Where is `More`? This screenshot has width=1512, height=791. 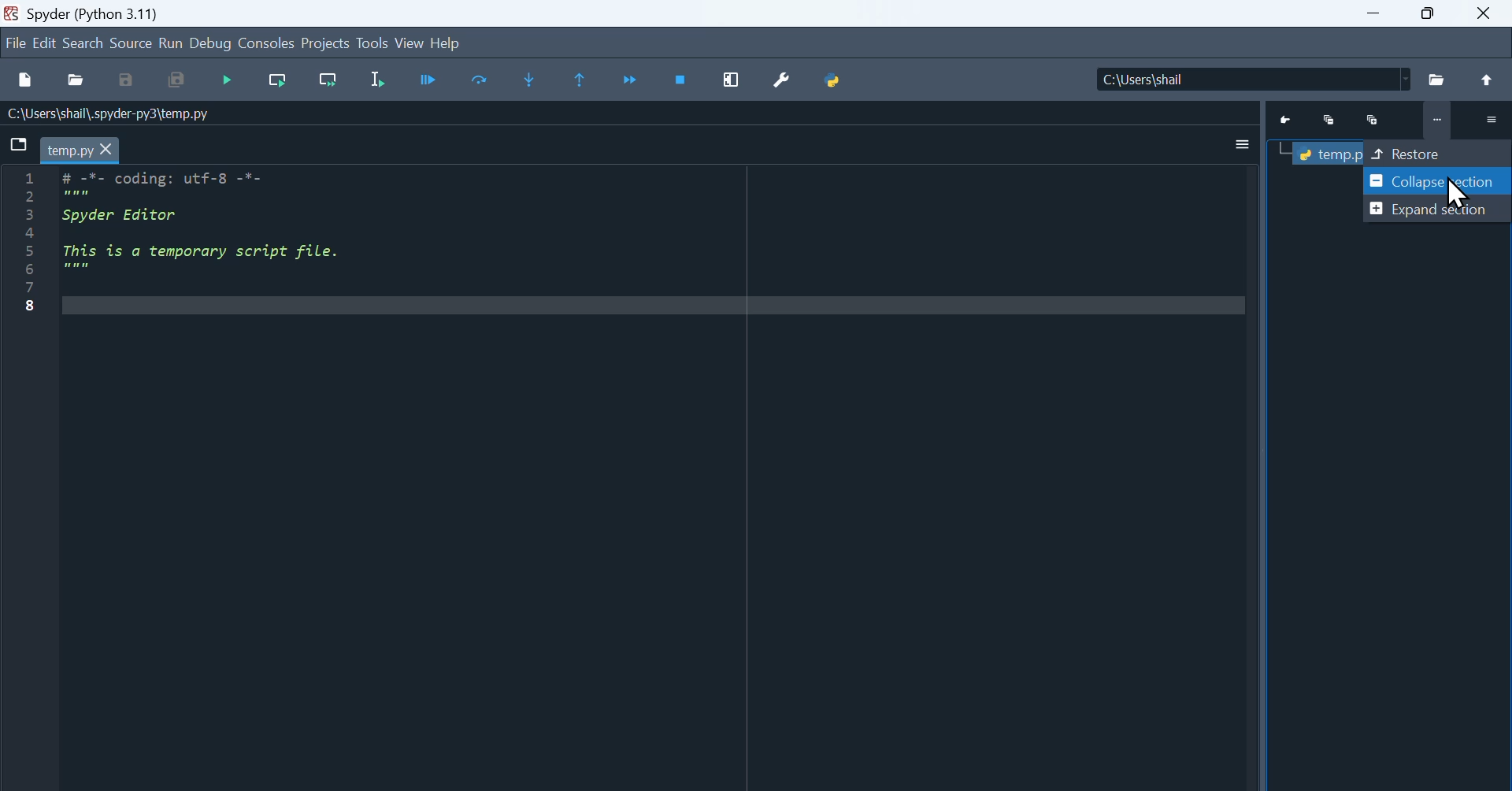 More is located at coordinates (1436, 122).